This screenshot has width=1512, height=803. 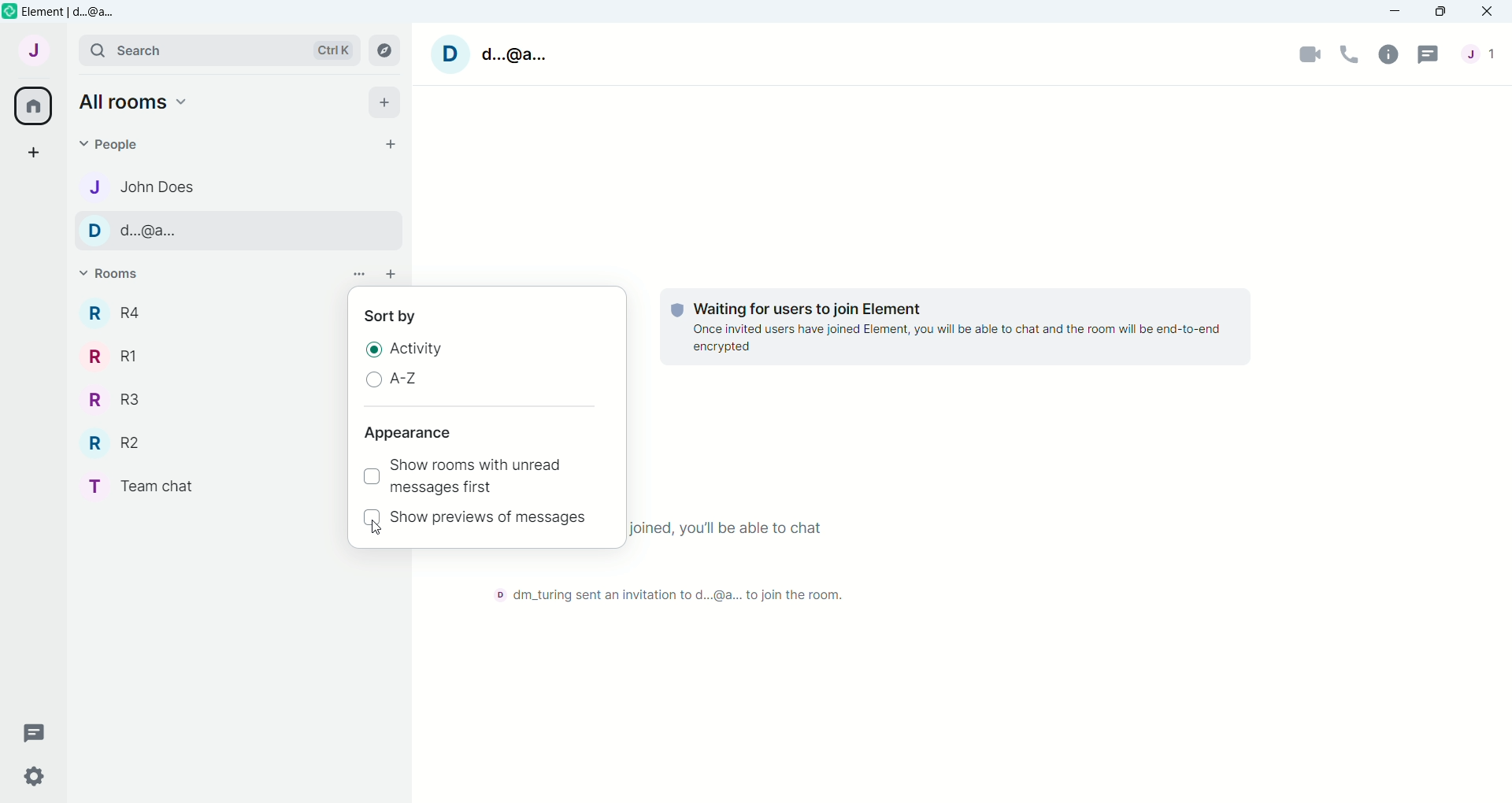 I want to click on Create a space, so click(x=36, y=151).